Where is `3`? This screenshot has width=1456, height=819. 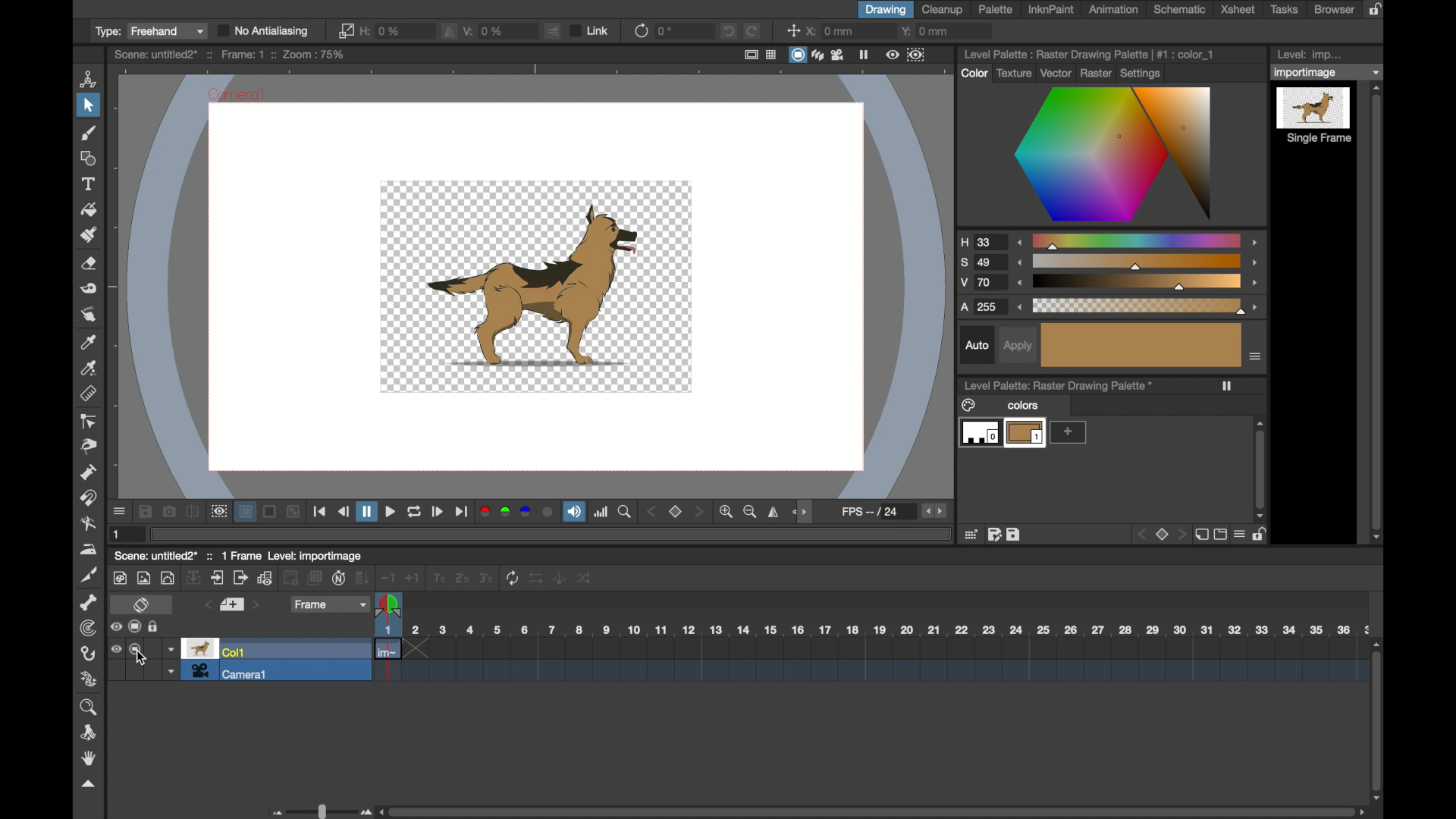 3 is located at coordinates (485, 577).